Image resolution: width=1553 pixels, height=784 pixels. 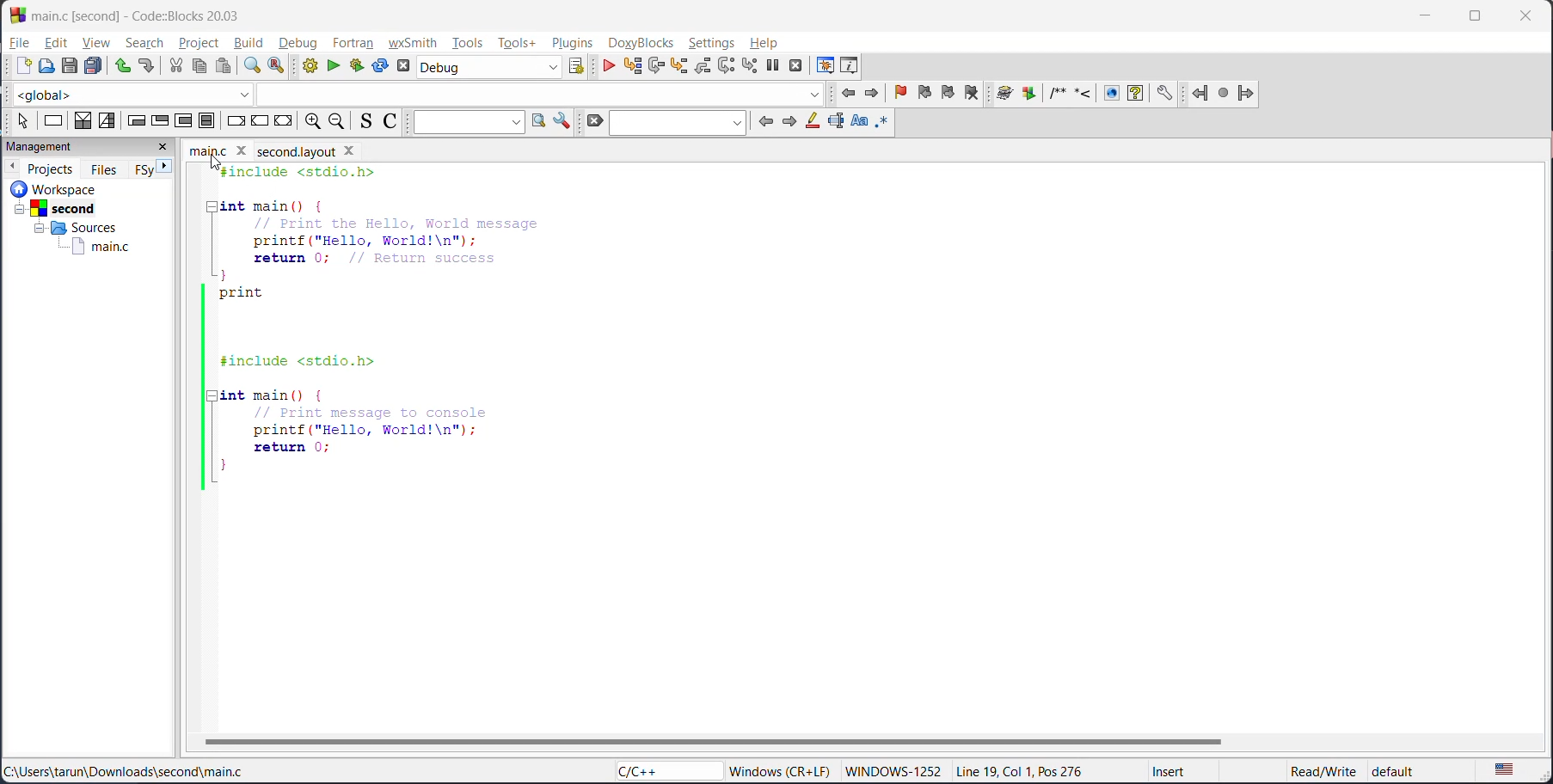 I want to click on clear bookmark, so click(x=977, y=95).